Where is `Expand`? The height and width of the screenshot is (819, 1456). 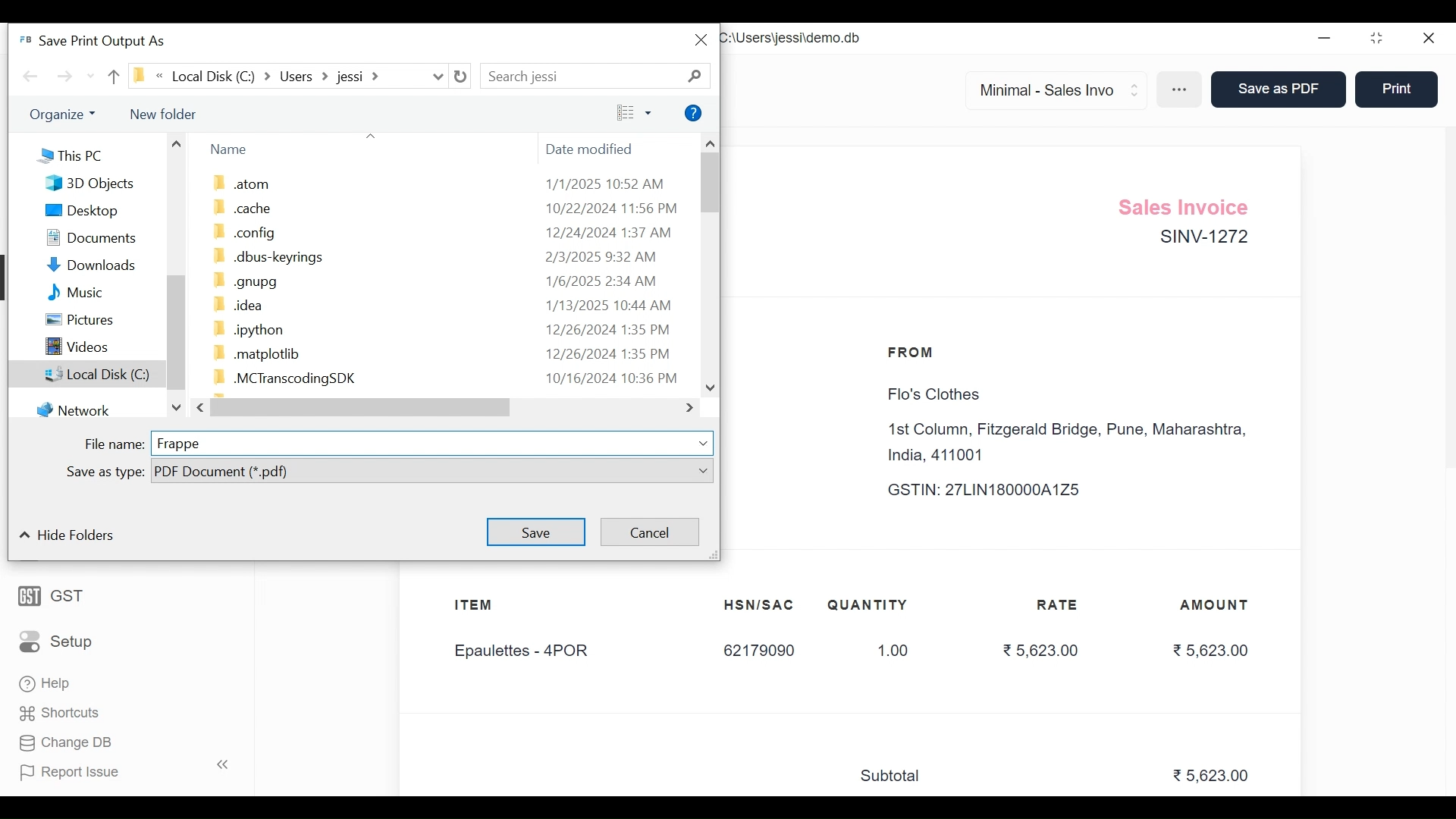 Expand is located at coordinates (1136, 88).